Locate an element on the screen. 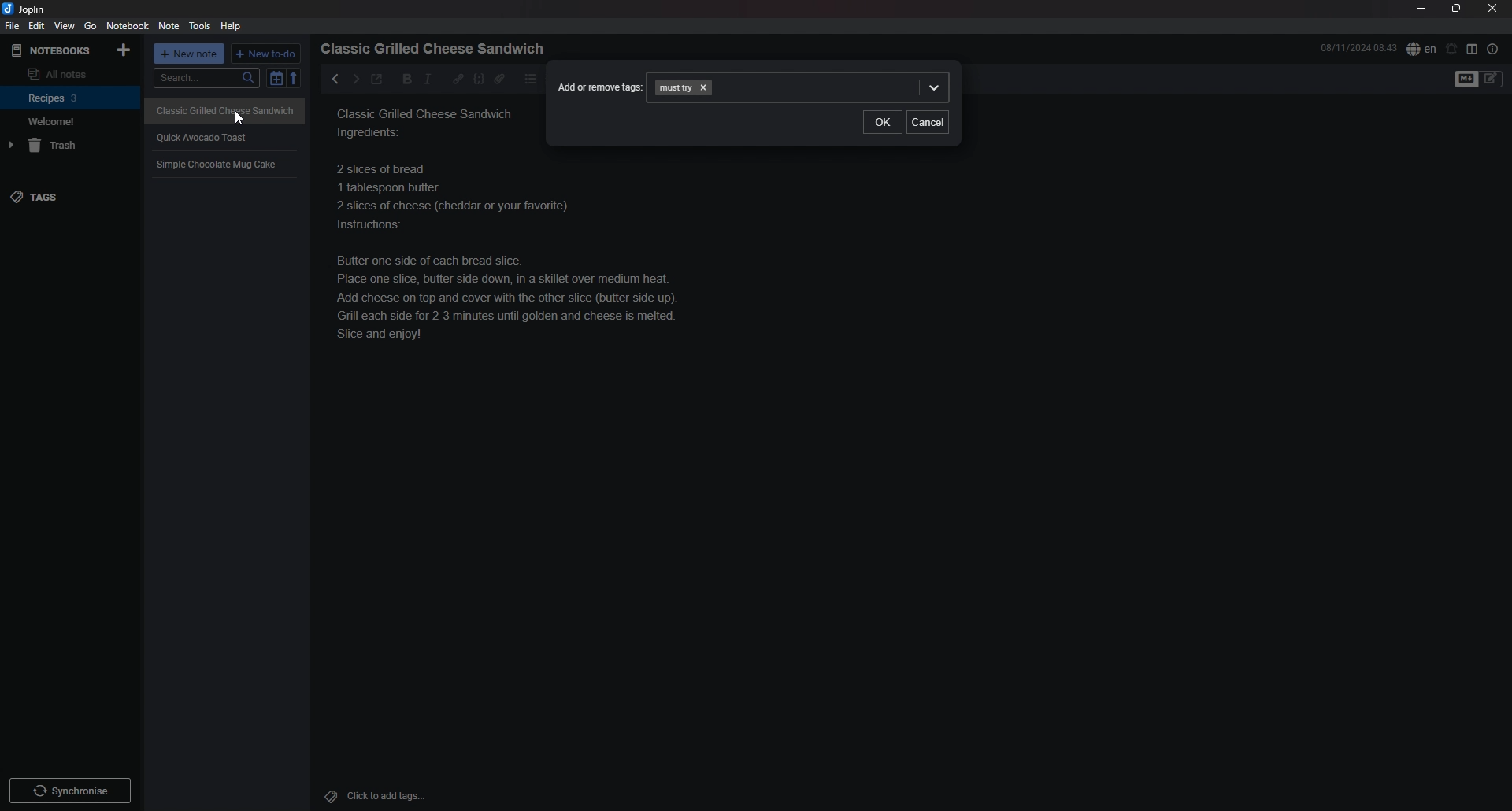 Image resolution: width=1512 pixels, height=811 pixels. help is located at coordinates (233, 26).